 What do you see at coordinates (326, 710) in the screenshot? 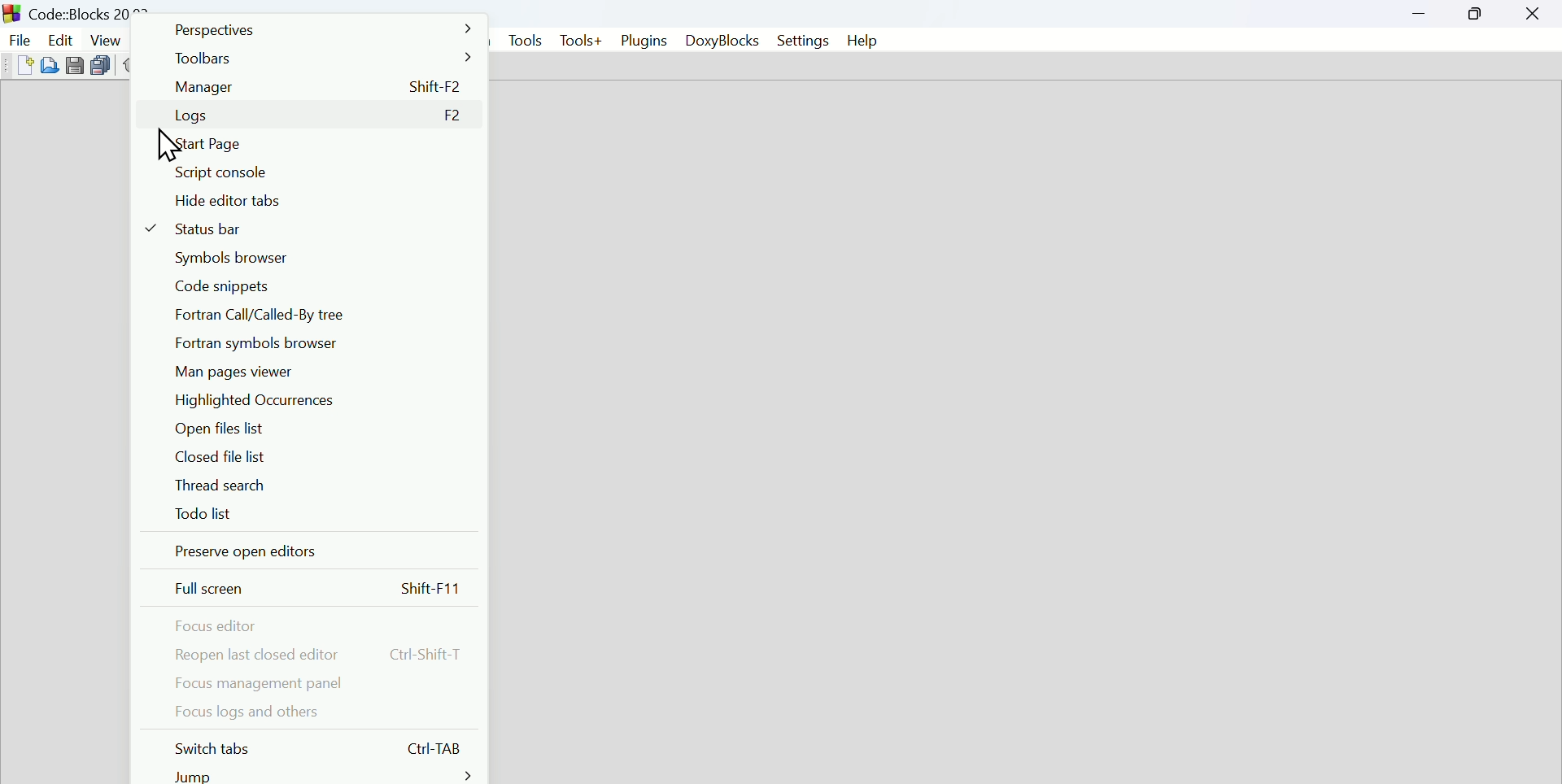
I see `Food log and others` at bounding box center [326, 710].